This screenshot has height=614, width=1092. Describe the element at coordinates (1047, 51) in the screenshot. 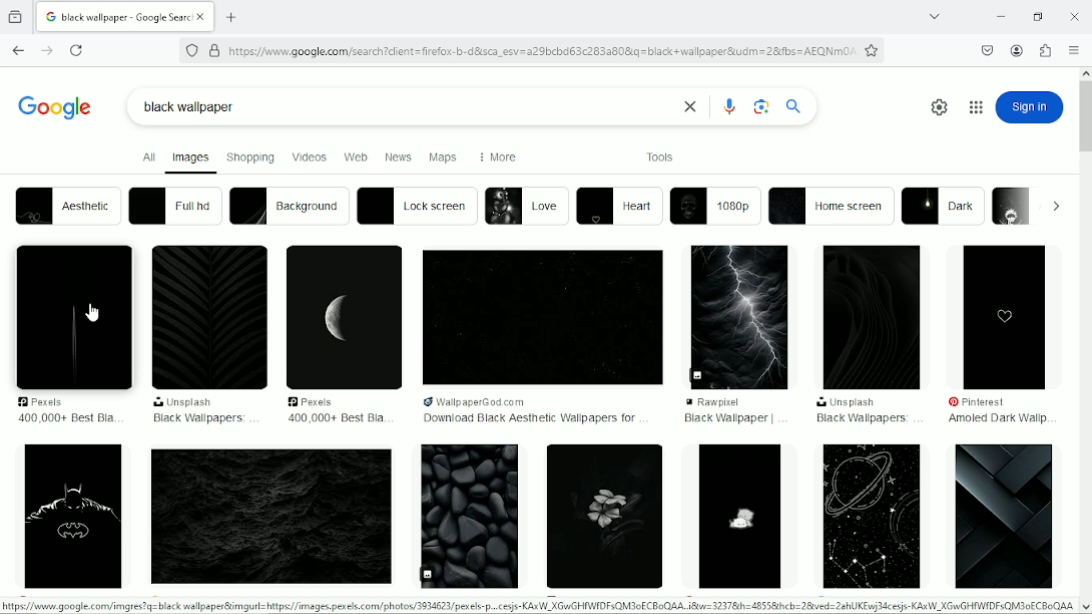

I see `Extensions` at that location.